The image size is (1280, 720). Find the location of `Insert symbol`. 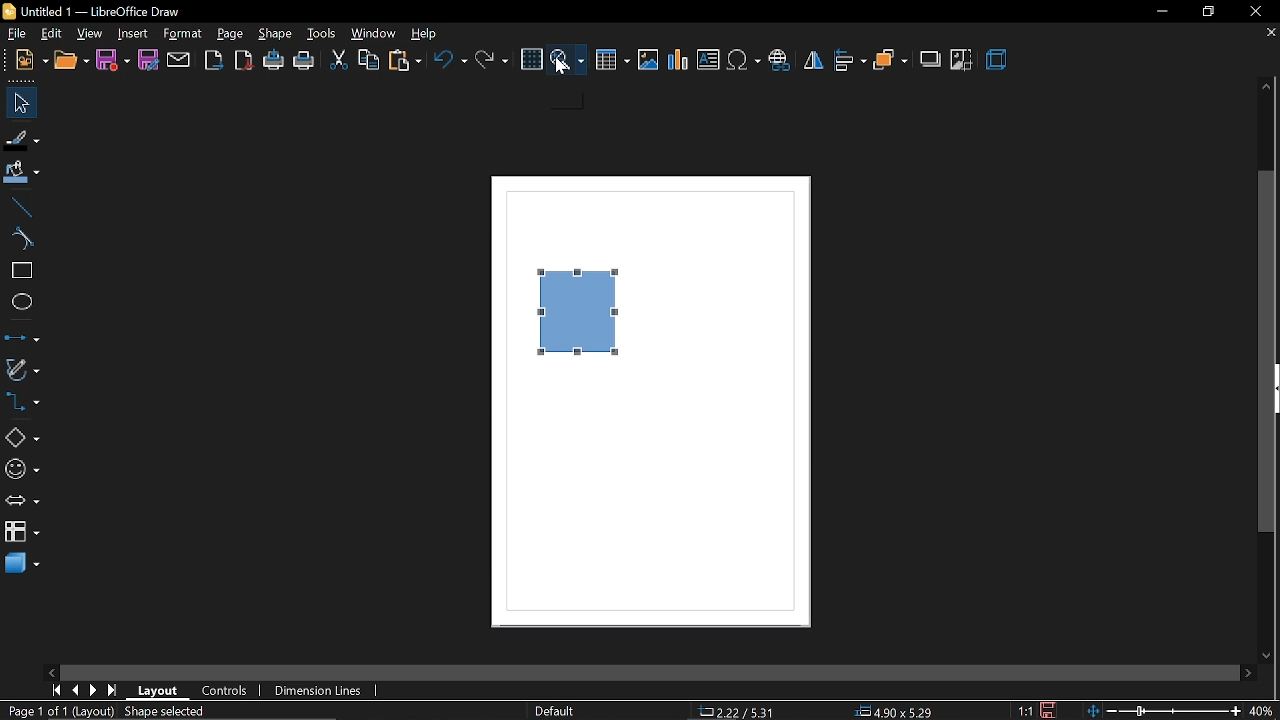

Insert symbol is located at coordinates (745, 60).